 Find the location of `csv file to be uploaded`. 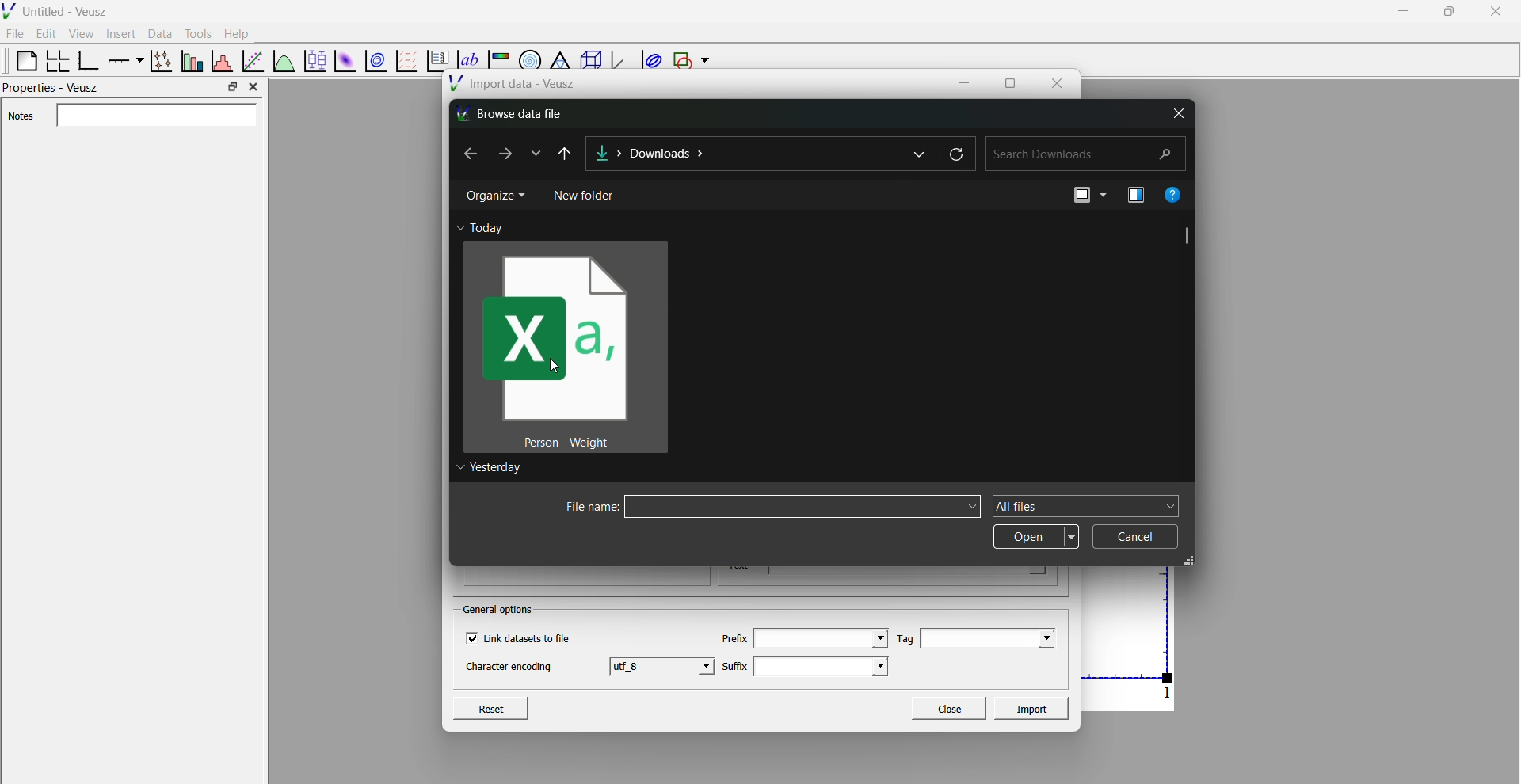

csv file to be uploaded is located at coordinates (566, 348).